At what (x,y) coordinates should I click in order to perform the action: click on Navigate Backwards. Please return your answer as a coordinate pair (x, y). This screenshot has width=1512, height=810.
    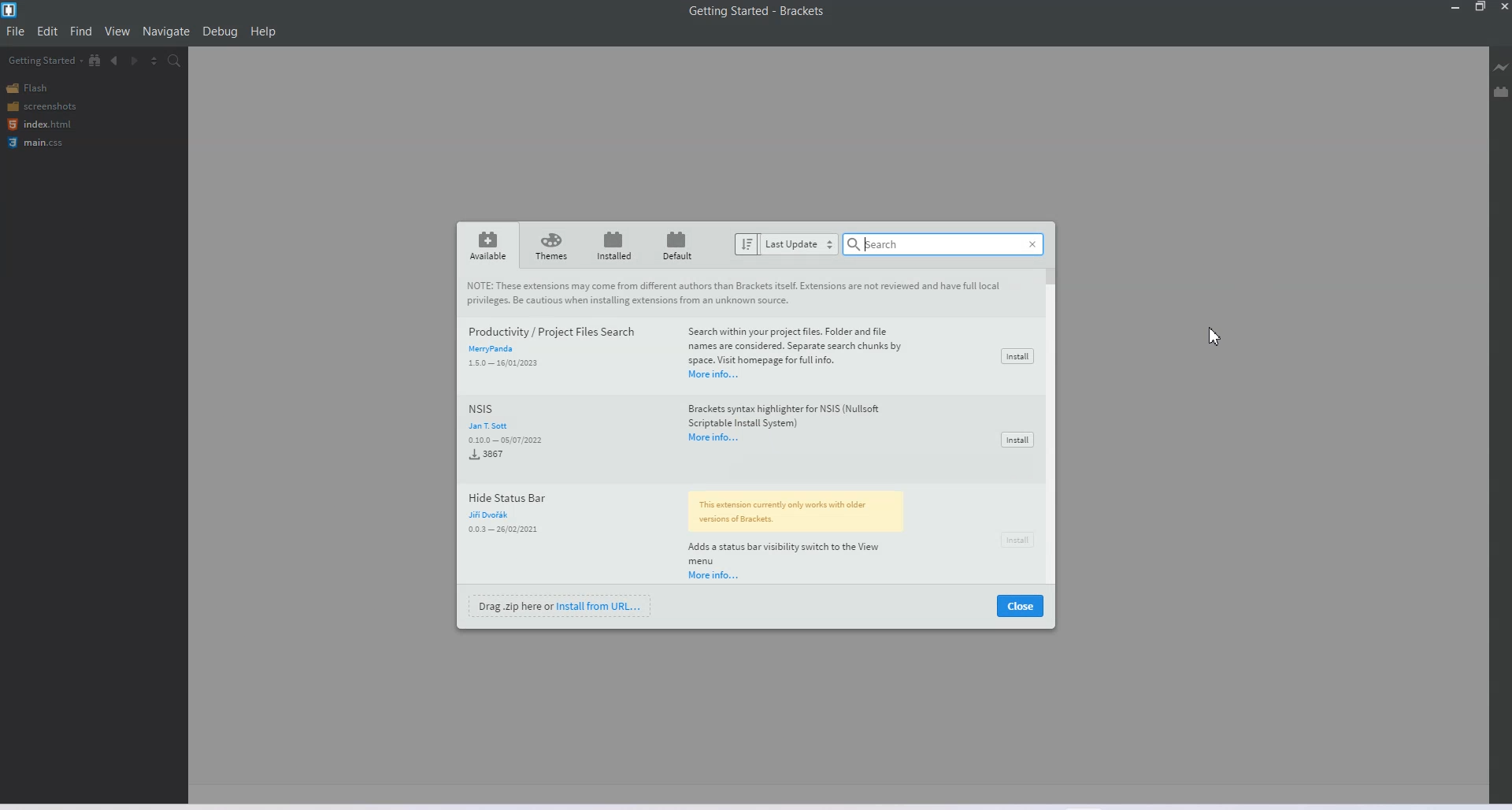
    Looking at the image, I should click on (115, 61).